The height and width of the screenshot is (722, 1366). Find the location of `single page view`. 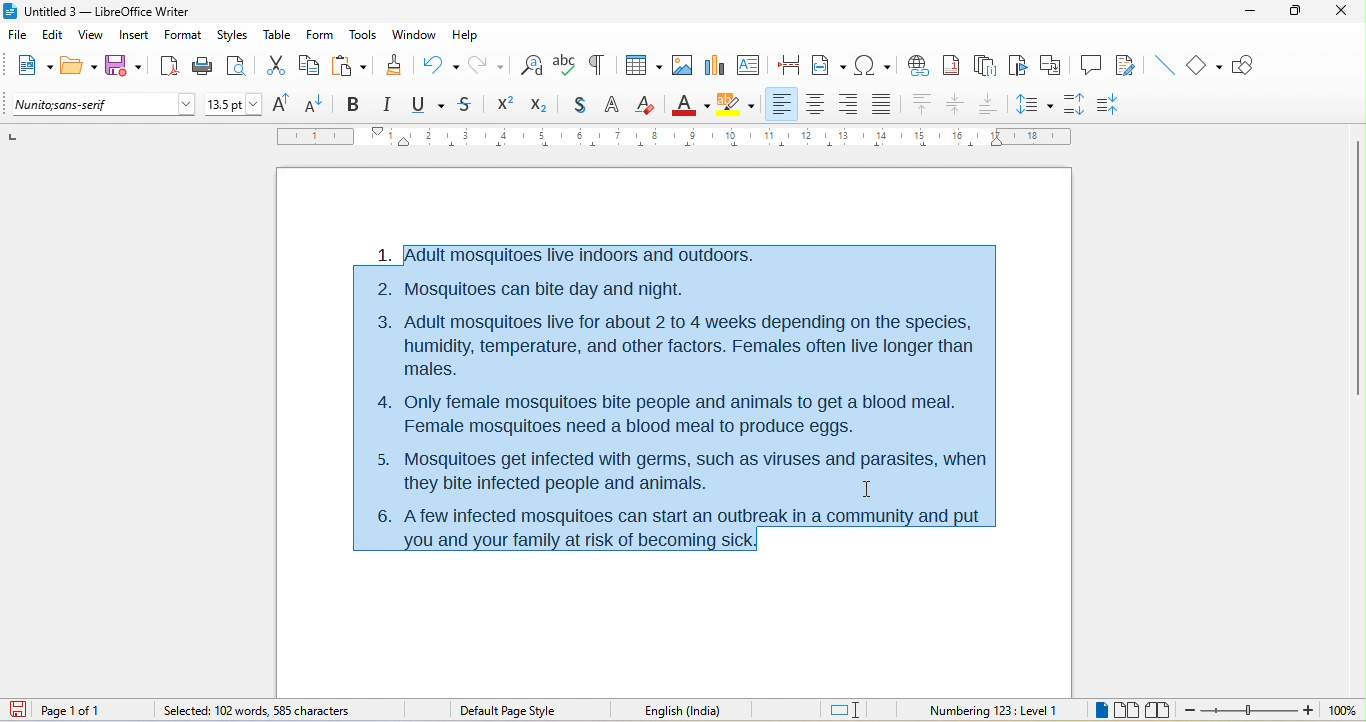

single page view is located at coordinates (1098, 711).